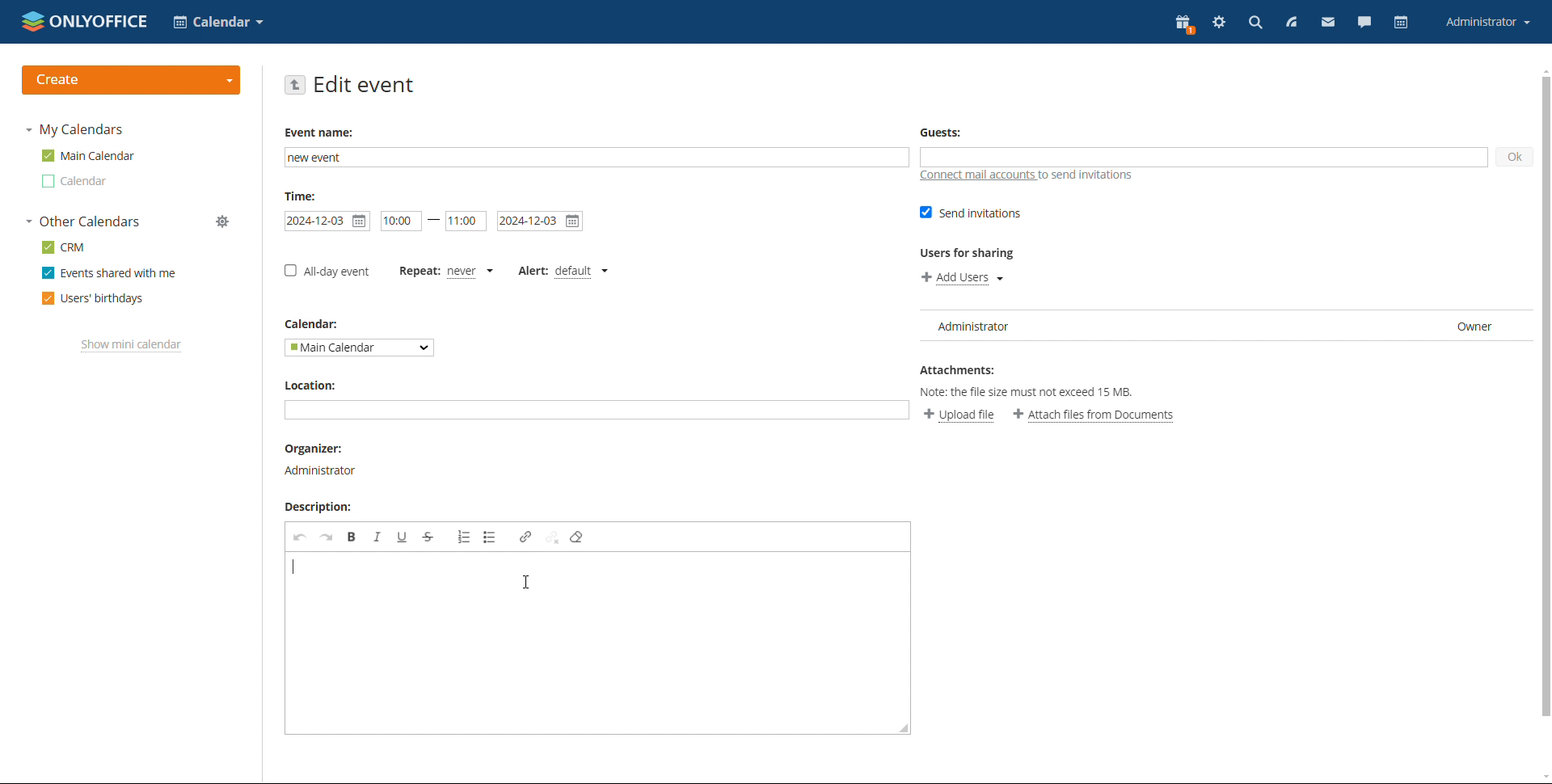 This screenshot has width=1552, height=784. I want to click on remove format, so click(578, 537).